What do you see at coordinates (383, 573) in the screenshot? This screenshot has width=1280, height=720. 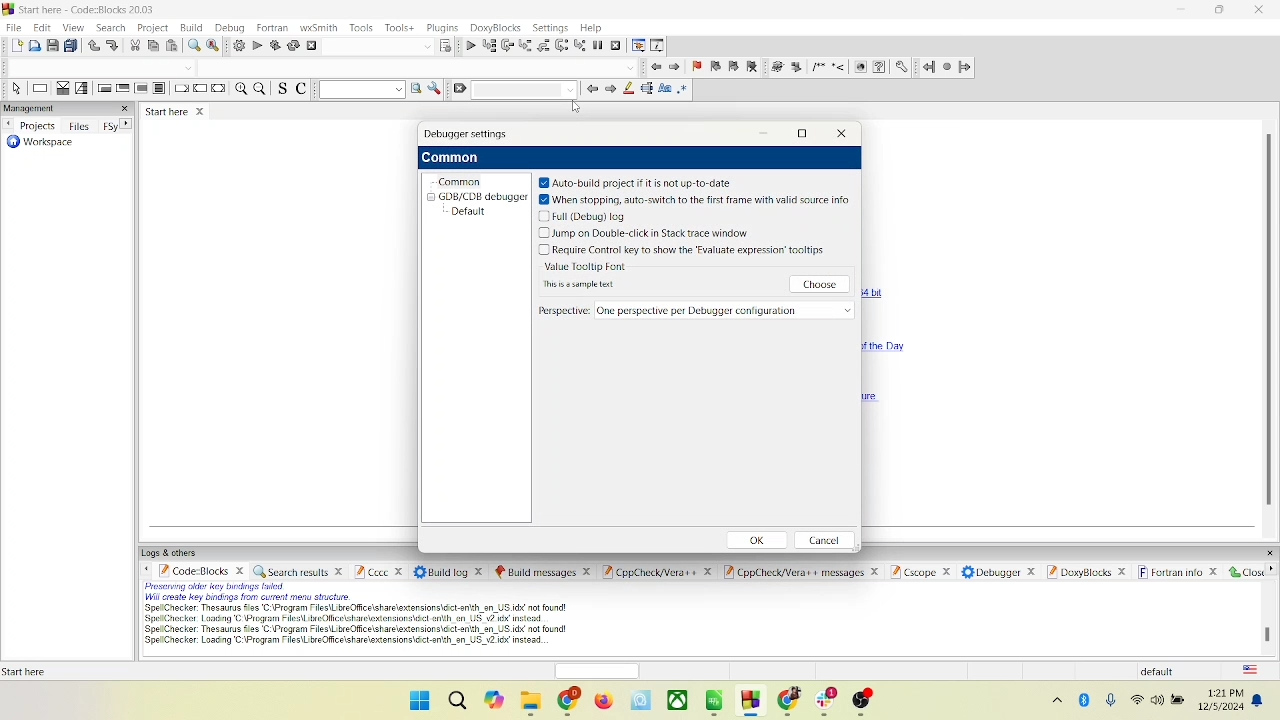 I see `Cccc` at bounding box center [383, 573].